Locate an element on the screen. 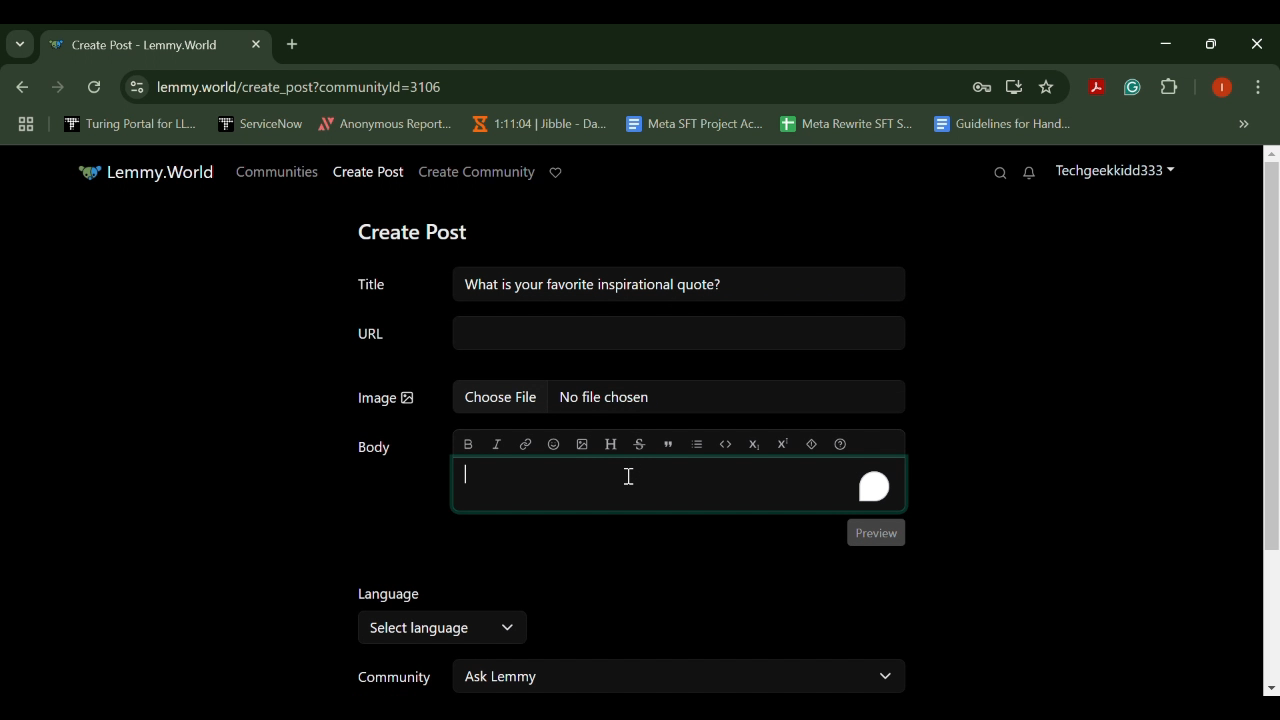  upload image is located at coordinates (582, 444).